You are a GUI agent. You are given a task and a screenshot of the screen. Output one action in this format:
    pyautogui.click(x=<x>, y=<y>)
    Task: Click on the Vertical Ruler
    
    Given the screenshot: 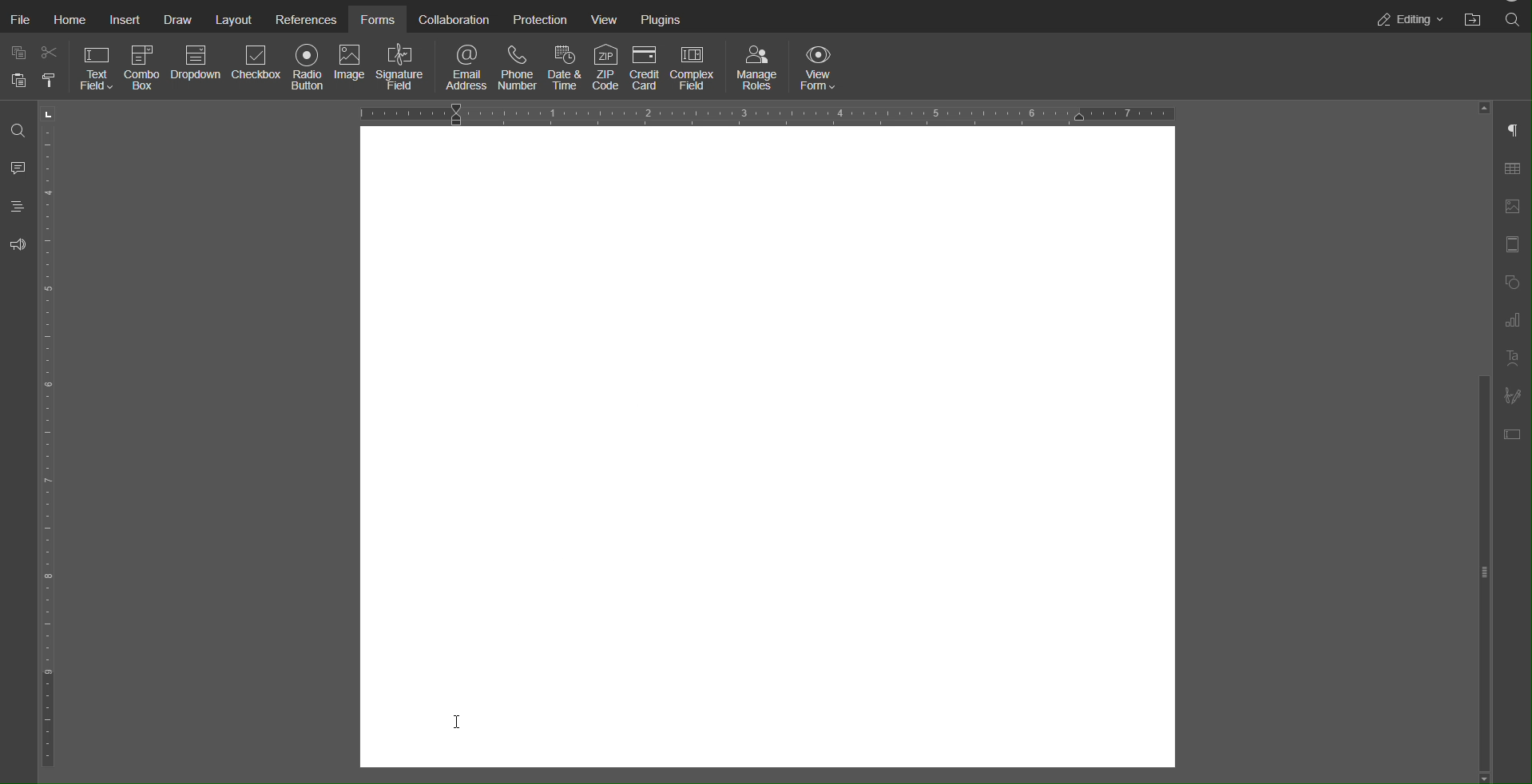 What is the action you would take?
    pyautogui.click(x=46, y=439)
    